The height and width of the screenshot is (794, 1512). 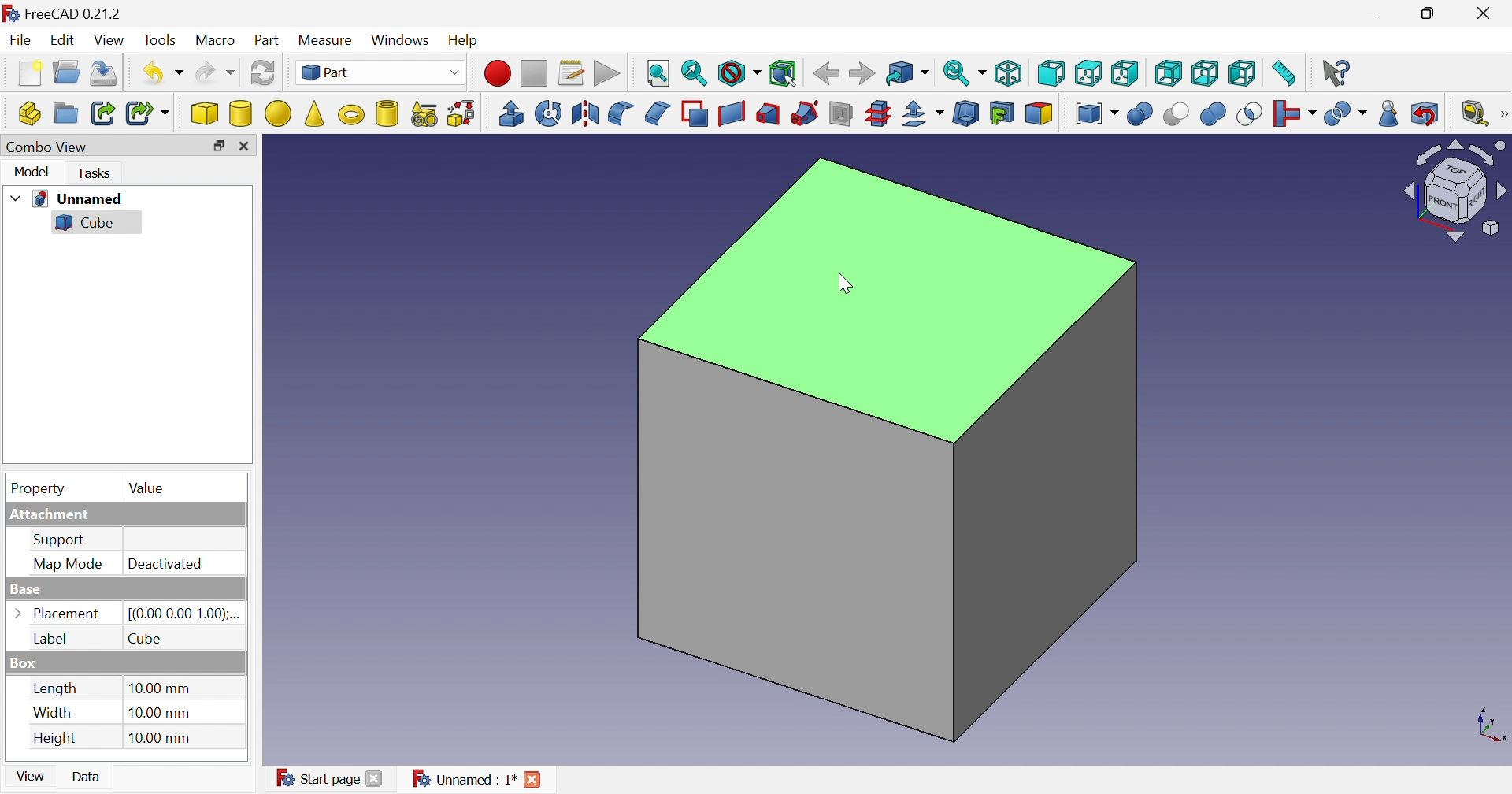 What do you see at coordinates (402, 39) in the screenshot?
I see `Windows` at bounding box center [402, 39].